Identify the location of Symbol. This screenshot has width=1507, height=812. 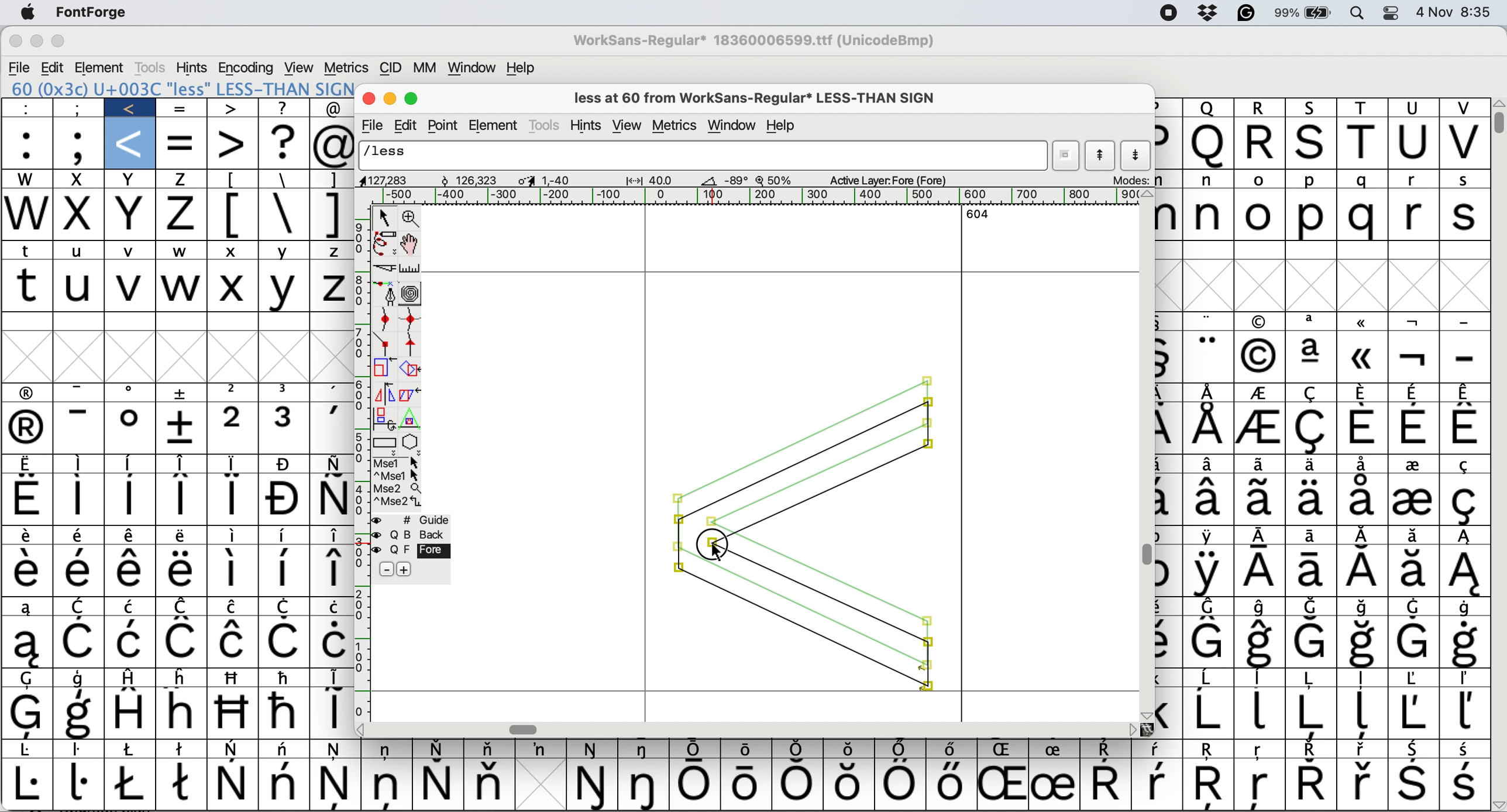
(1169, 357).